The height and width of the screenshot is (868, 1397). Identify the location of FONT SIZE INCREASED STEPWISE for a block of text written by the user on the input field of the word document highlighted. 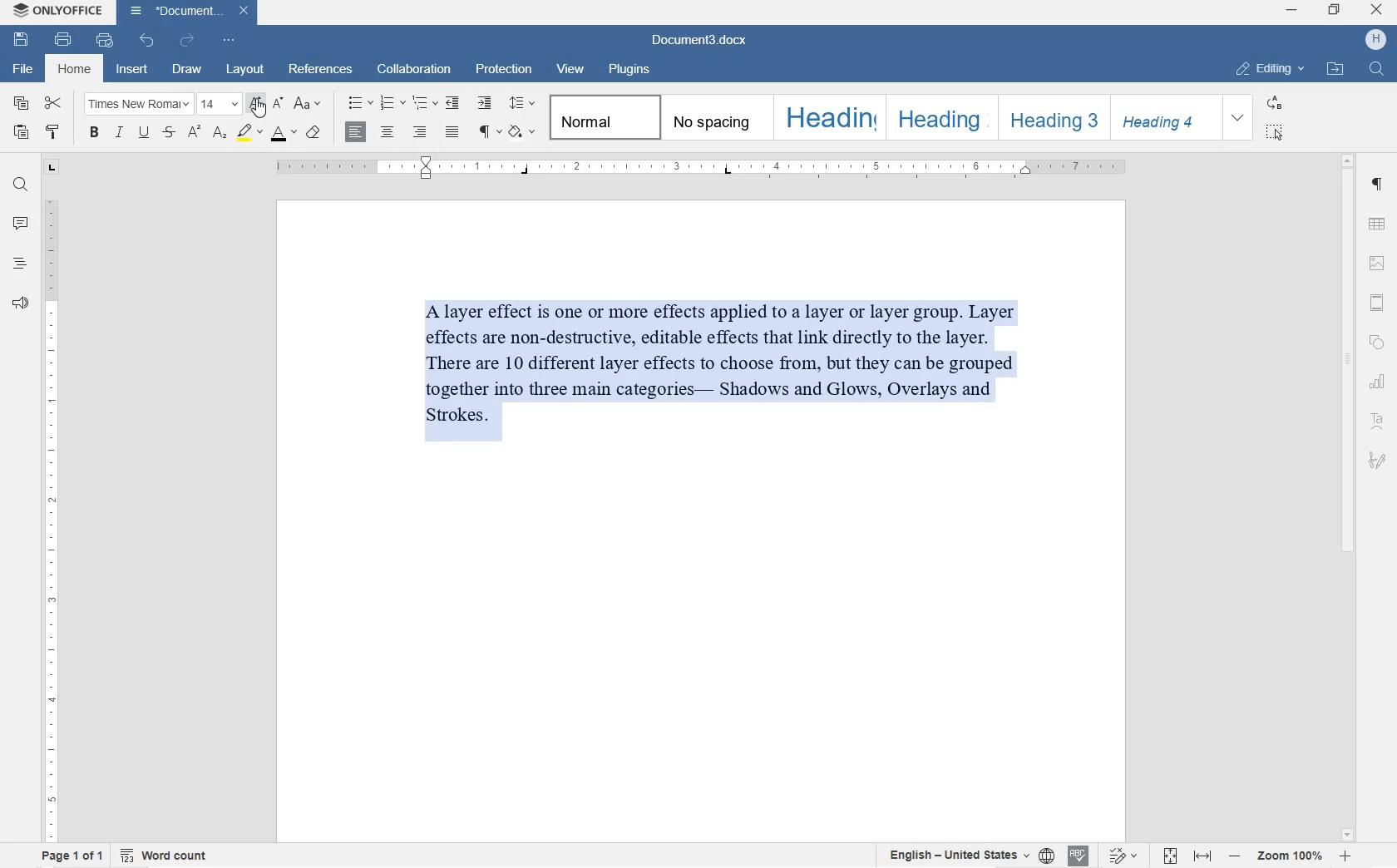
(734, 377).